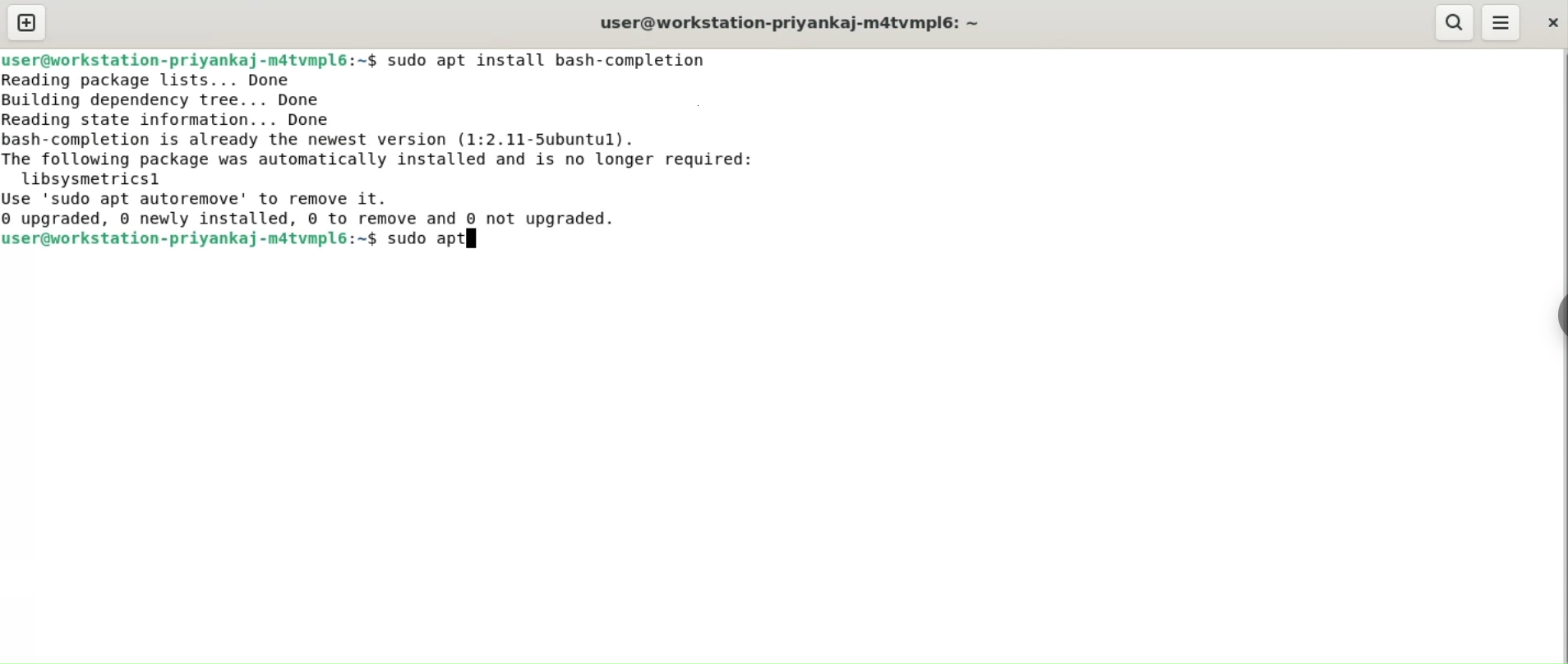 This screenshot has height=664, width=1568. Describe the element at coordinates (430, 242) in the screenshot. I see `$ sudo aptl]` at that location.